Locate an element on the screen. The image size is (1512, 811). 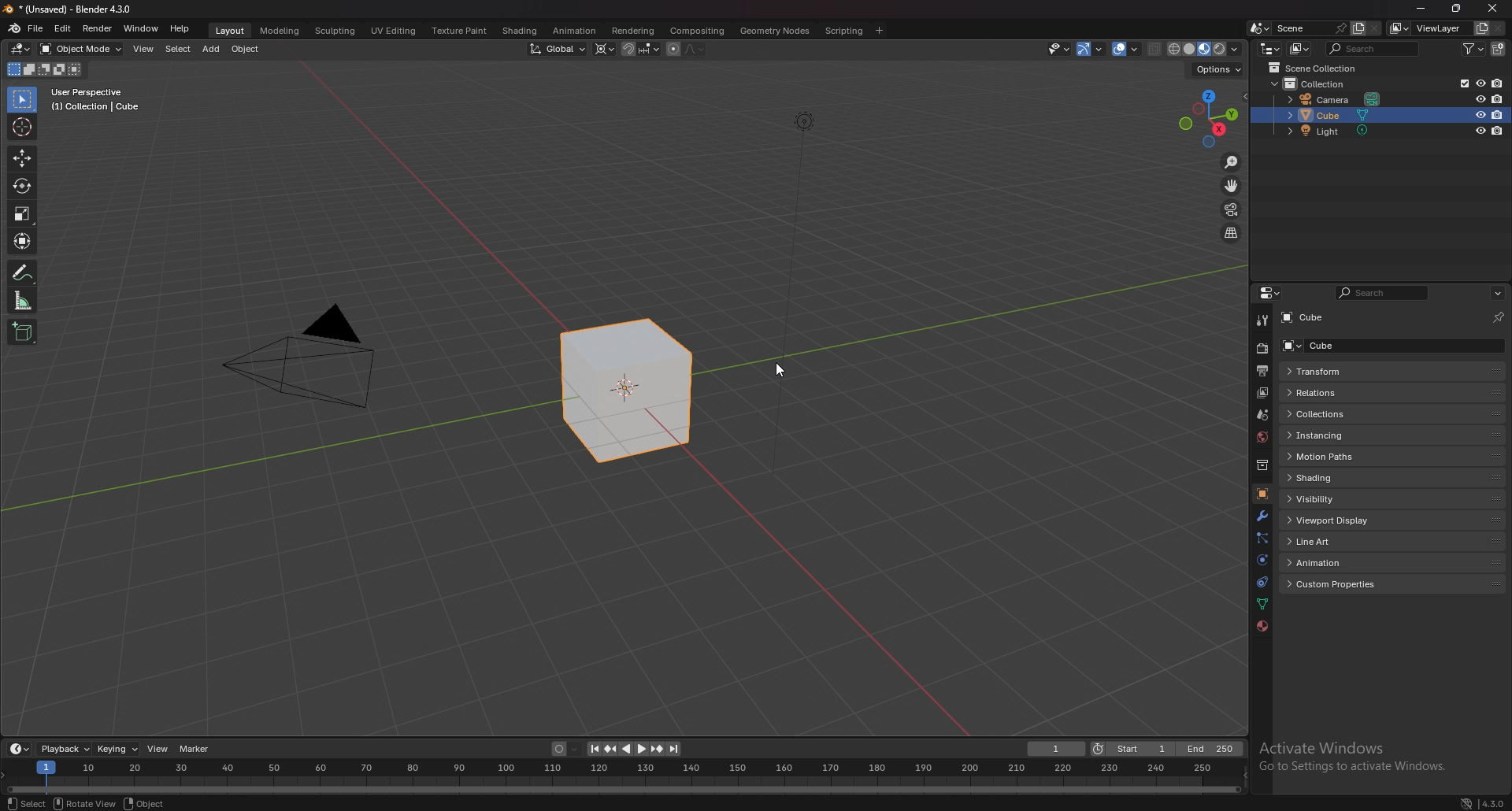
tool is located at coordinates (1260, 322).